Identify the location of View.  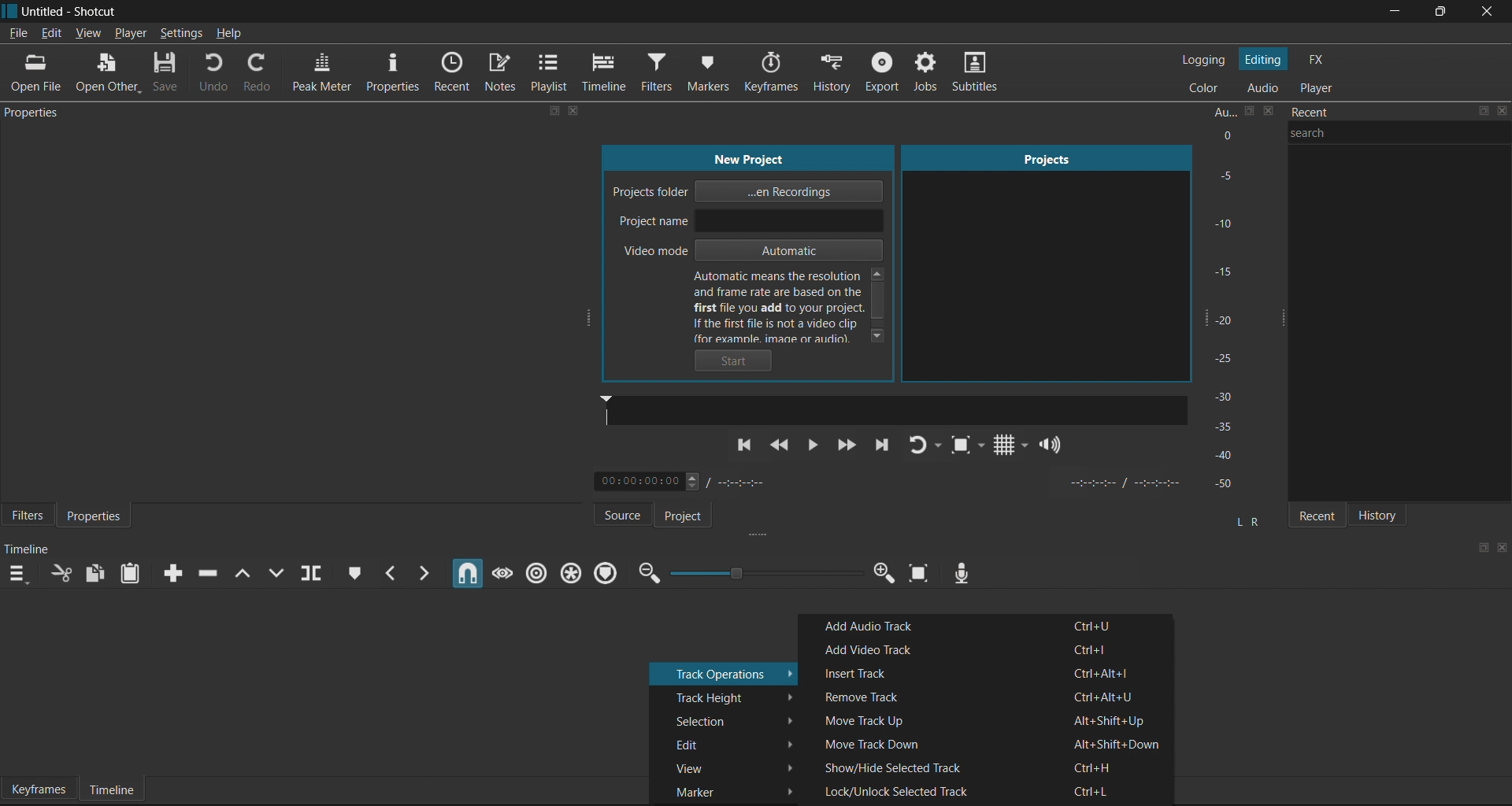
(726, 763).